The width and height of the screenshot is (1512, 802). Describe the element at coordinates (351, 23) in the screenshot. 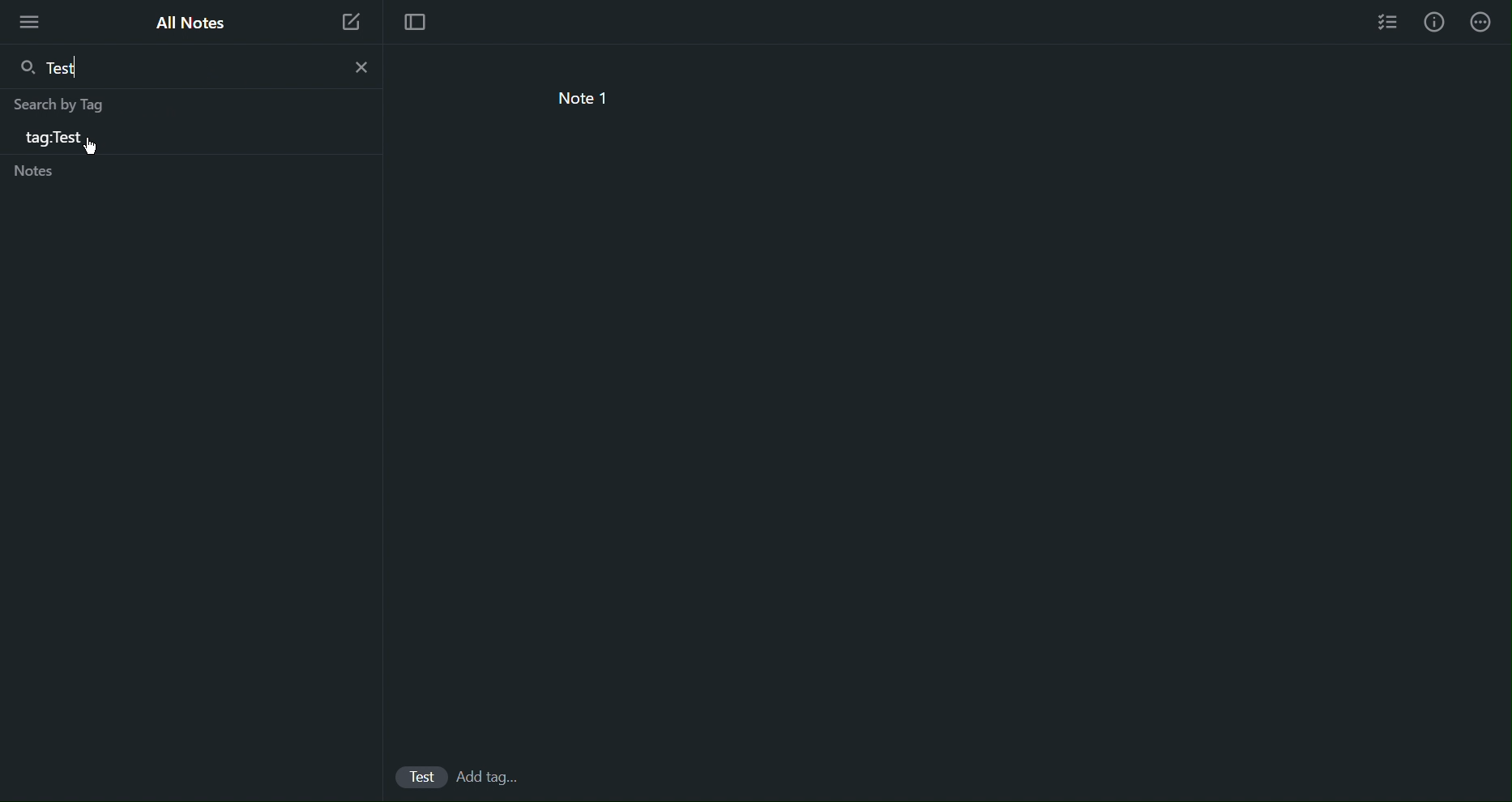

I see `New Note` at that location.